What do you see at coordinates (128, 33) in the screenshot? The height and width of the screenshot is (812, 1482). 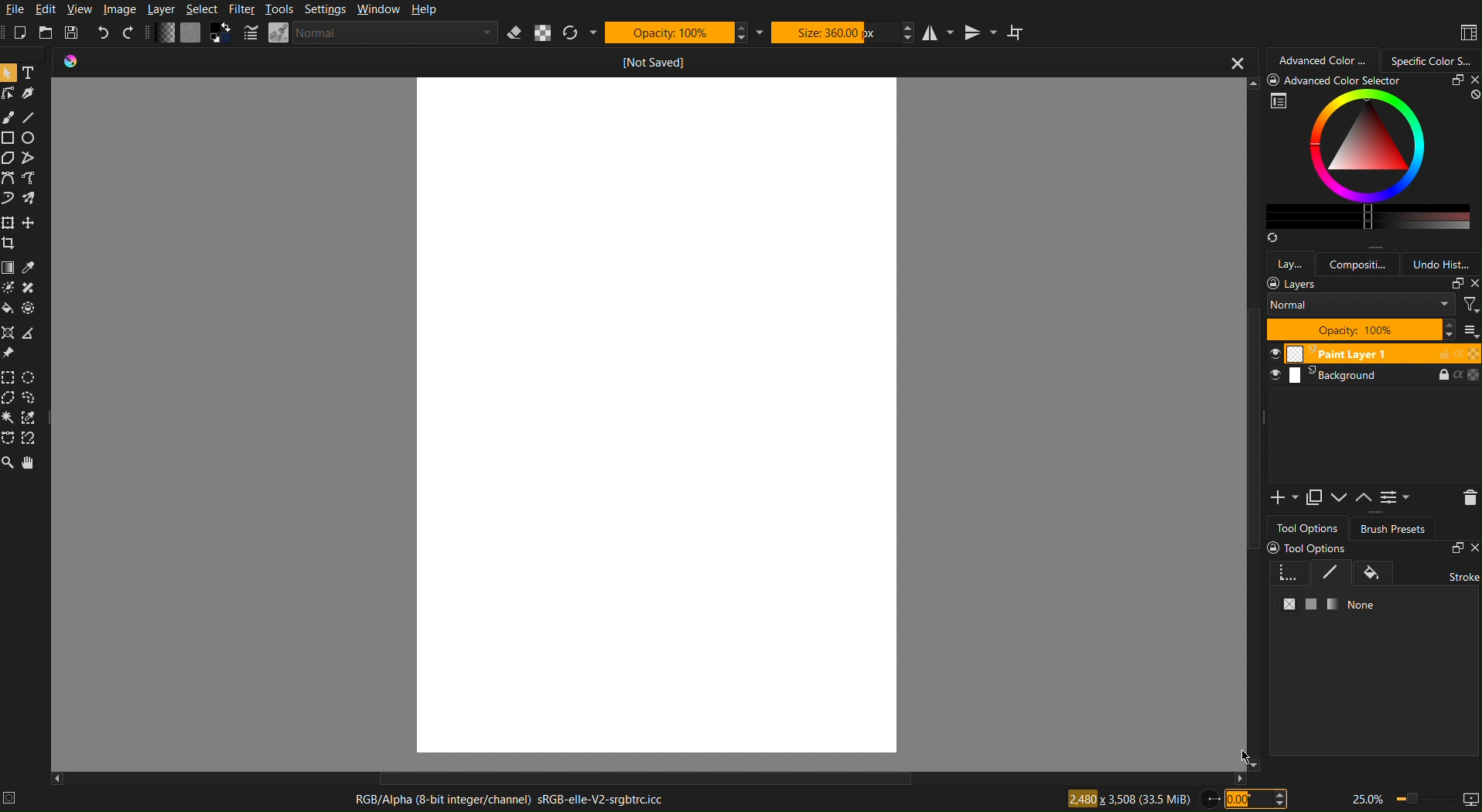 I see `Redo` at bounding box center [128, 33].